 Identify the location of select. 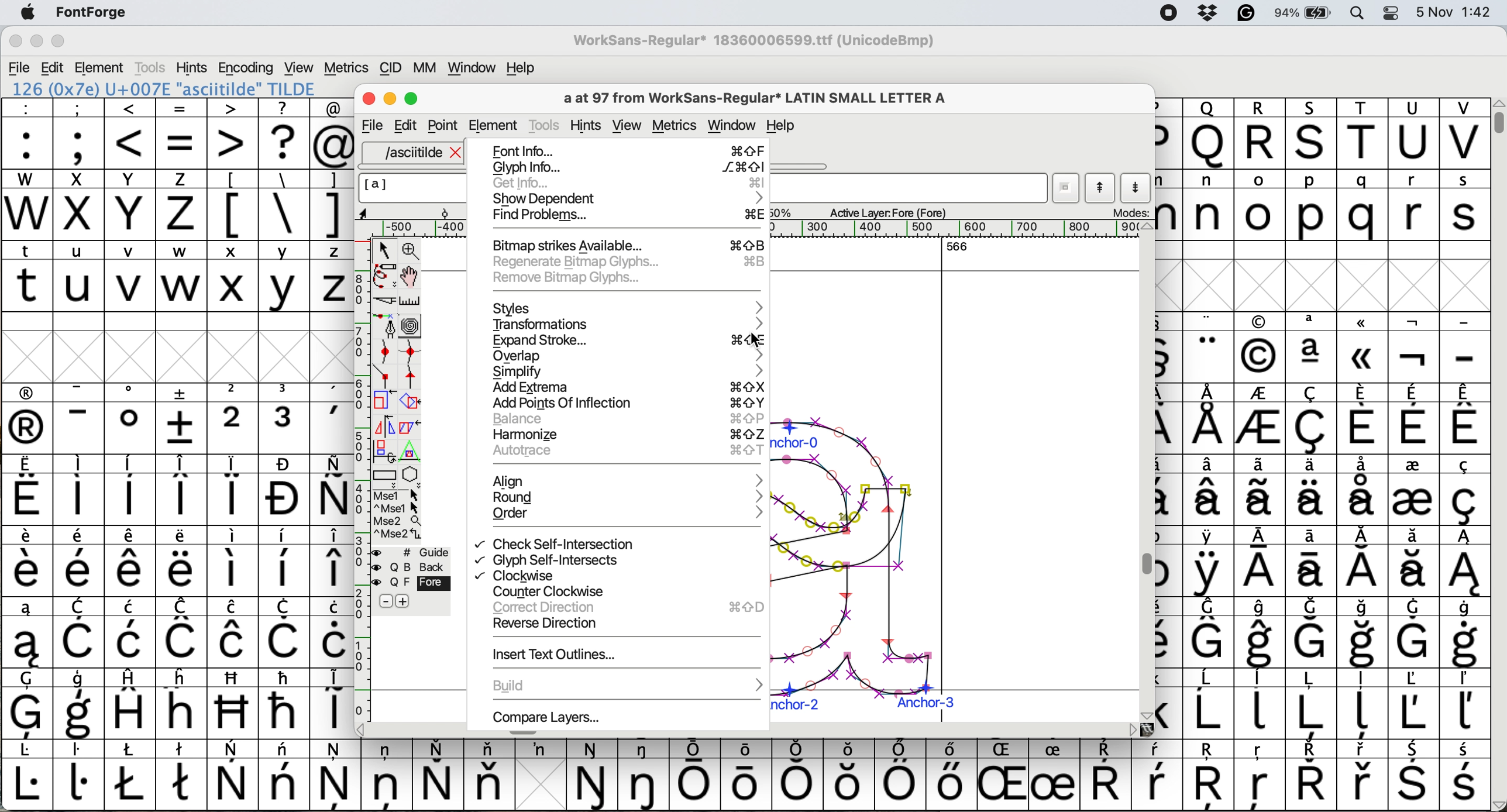
(386, 248).